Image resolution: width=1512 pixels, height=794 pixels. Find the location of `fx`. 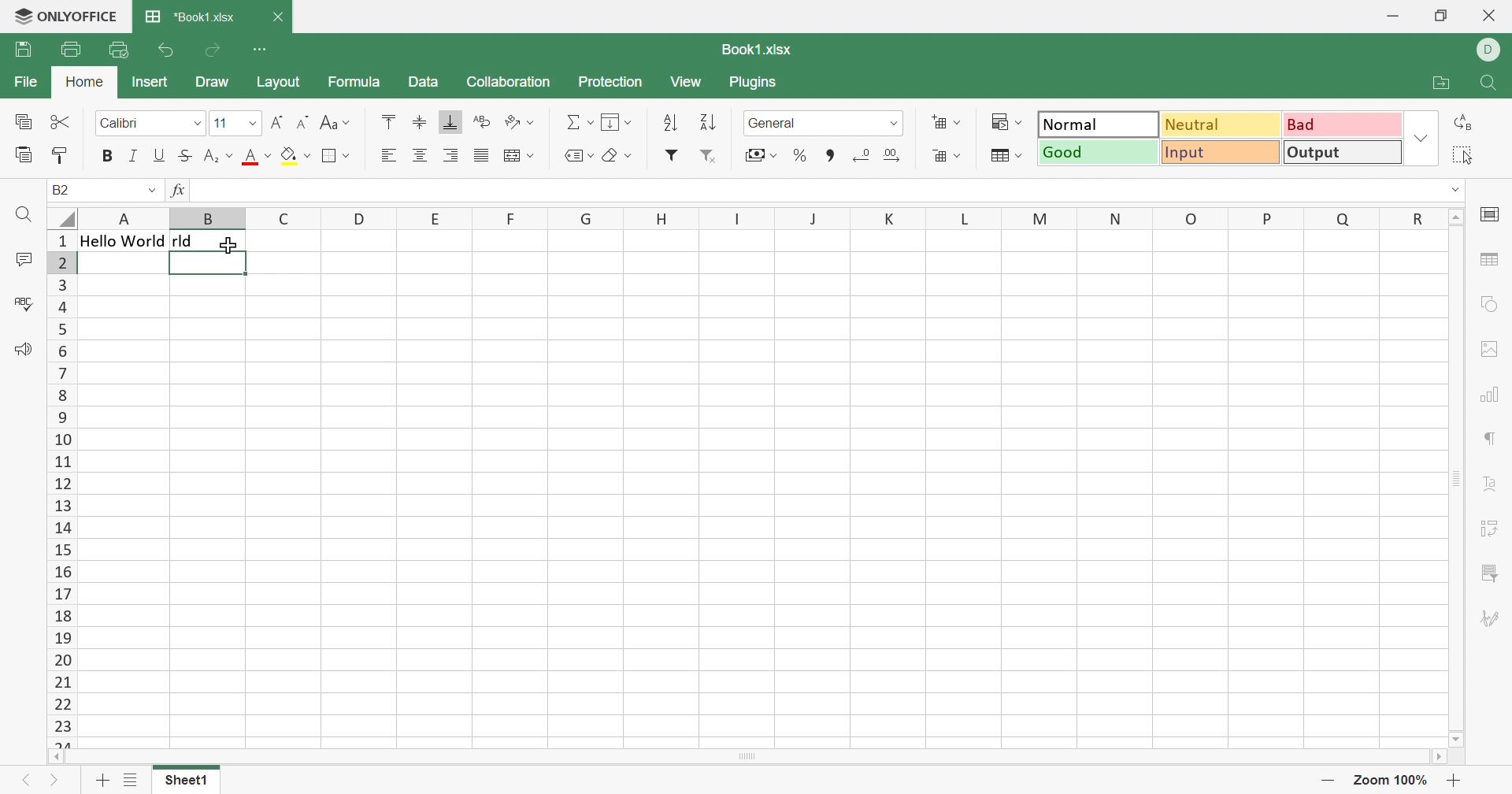

fx is located at coordinates (177, 191).